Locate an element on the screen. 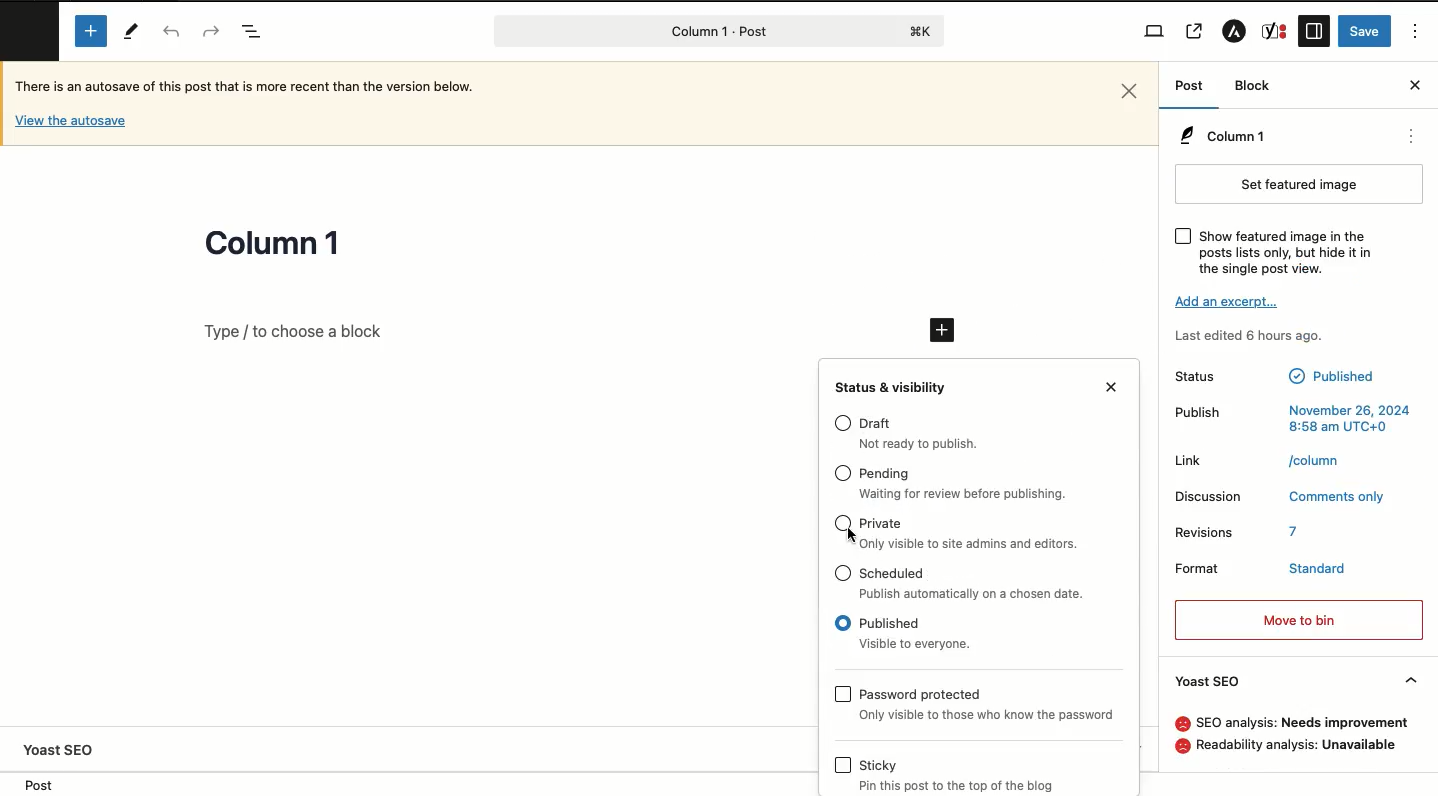 This screenshot has width=1438, height=796. Yoast SEO is located at coordinates (1297, 682).